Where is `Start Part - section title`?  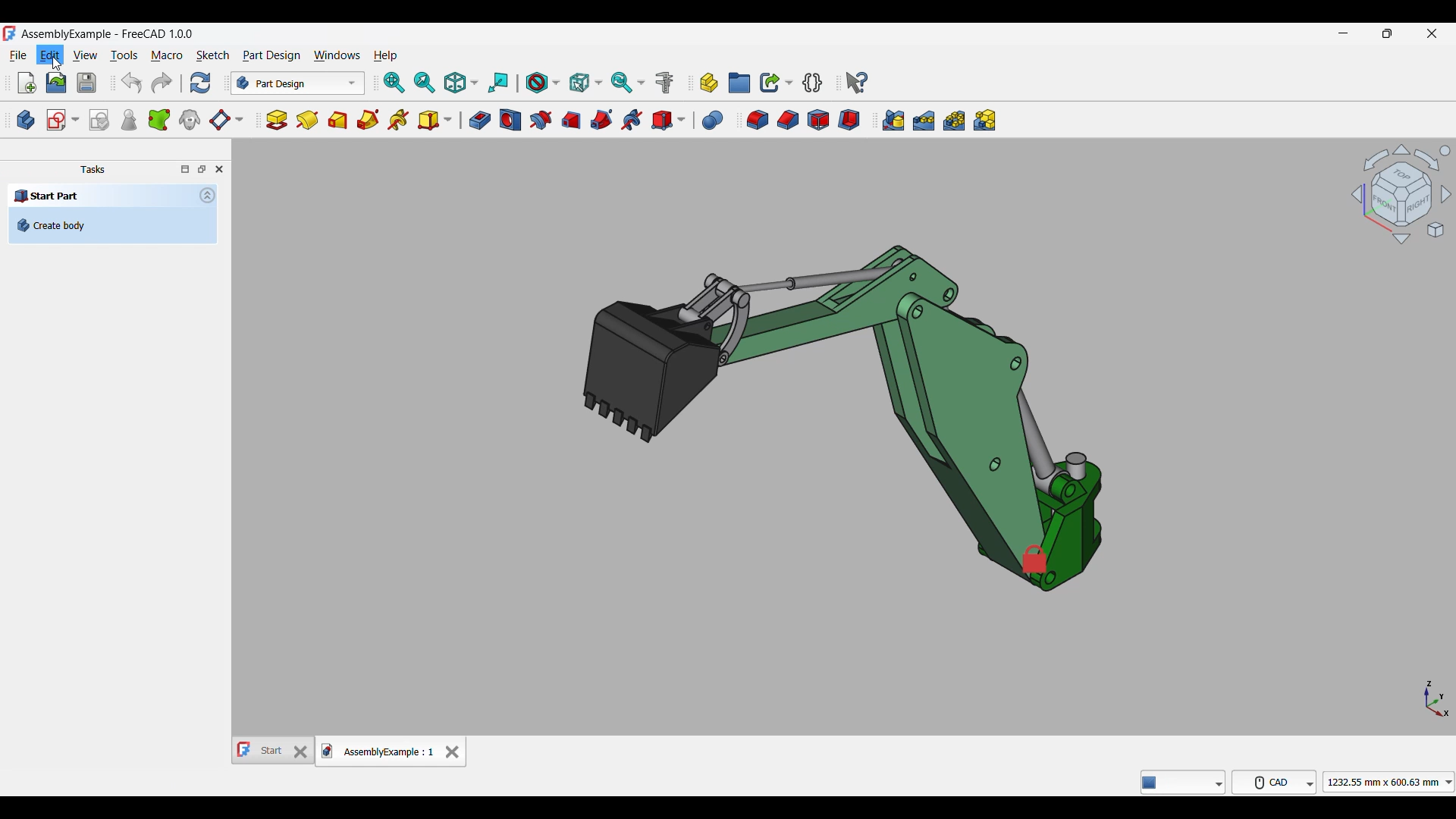
Start Part - section title is located at coordinates (101, 196).